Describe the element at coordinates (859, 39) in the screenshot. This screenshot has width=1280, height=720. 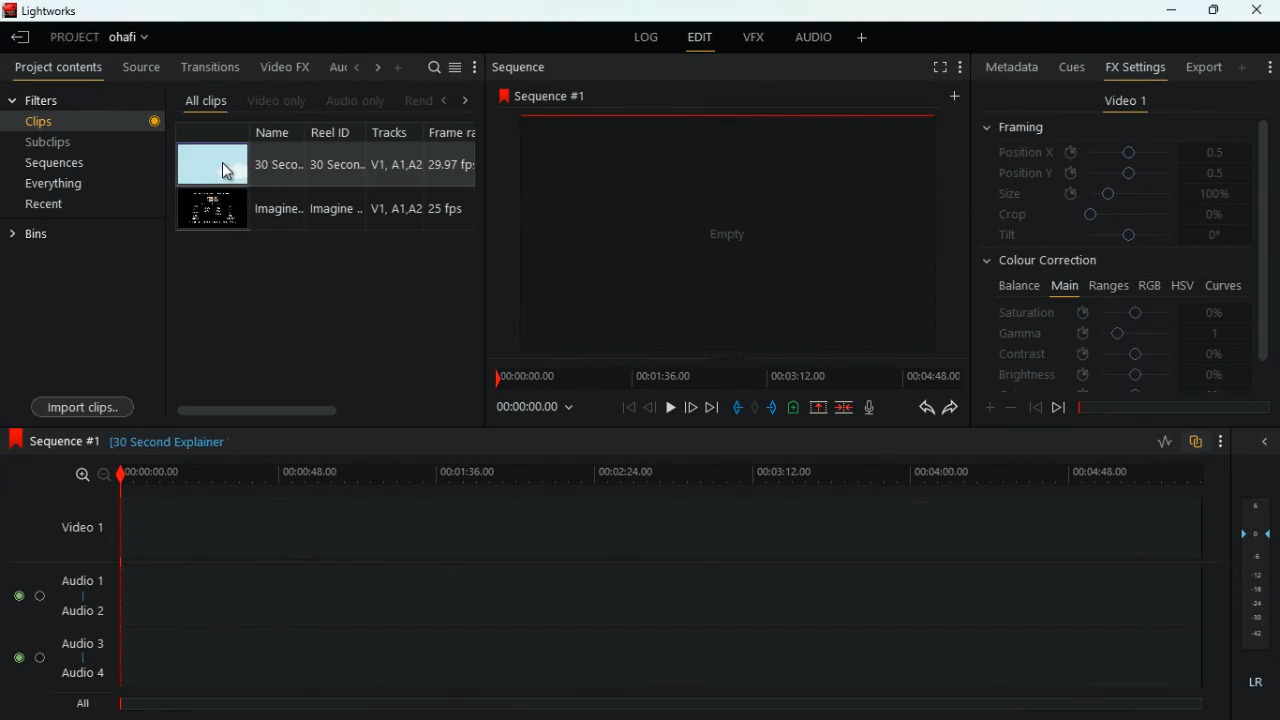
I see `add` at that location.